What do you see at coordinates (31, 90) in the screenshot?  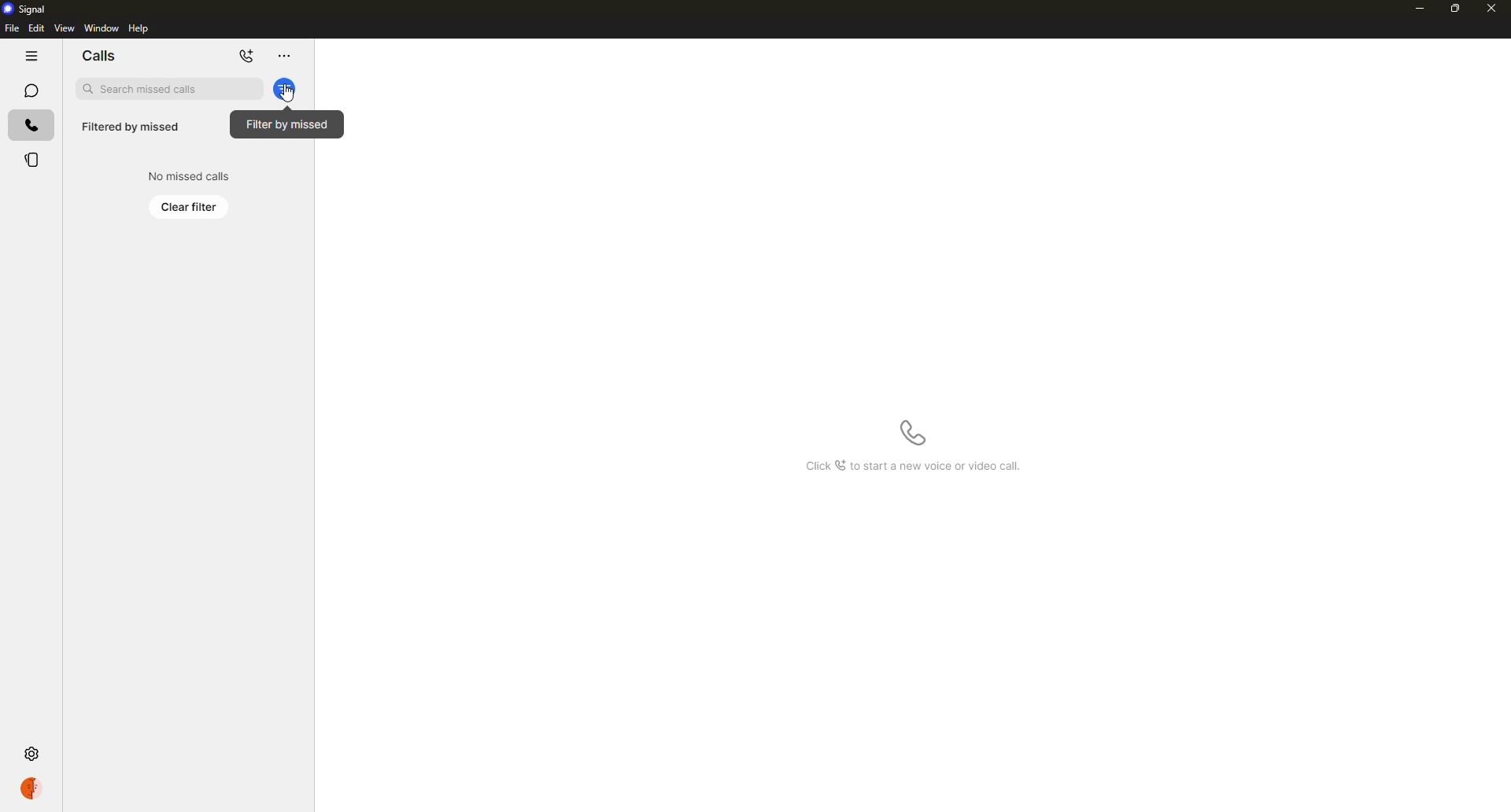 I see `chats` at bounding box center [31, 90].